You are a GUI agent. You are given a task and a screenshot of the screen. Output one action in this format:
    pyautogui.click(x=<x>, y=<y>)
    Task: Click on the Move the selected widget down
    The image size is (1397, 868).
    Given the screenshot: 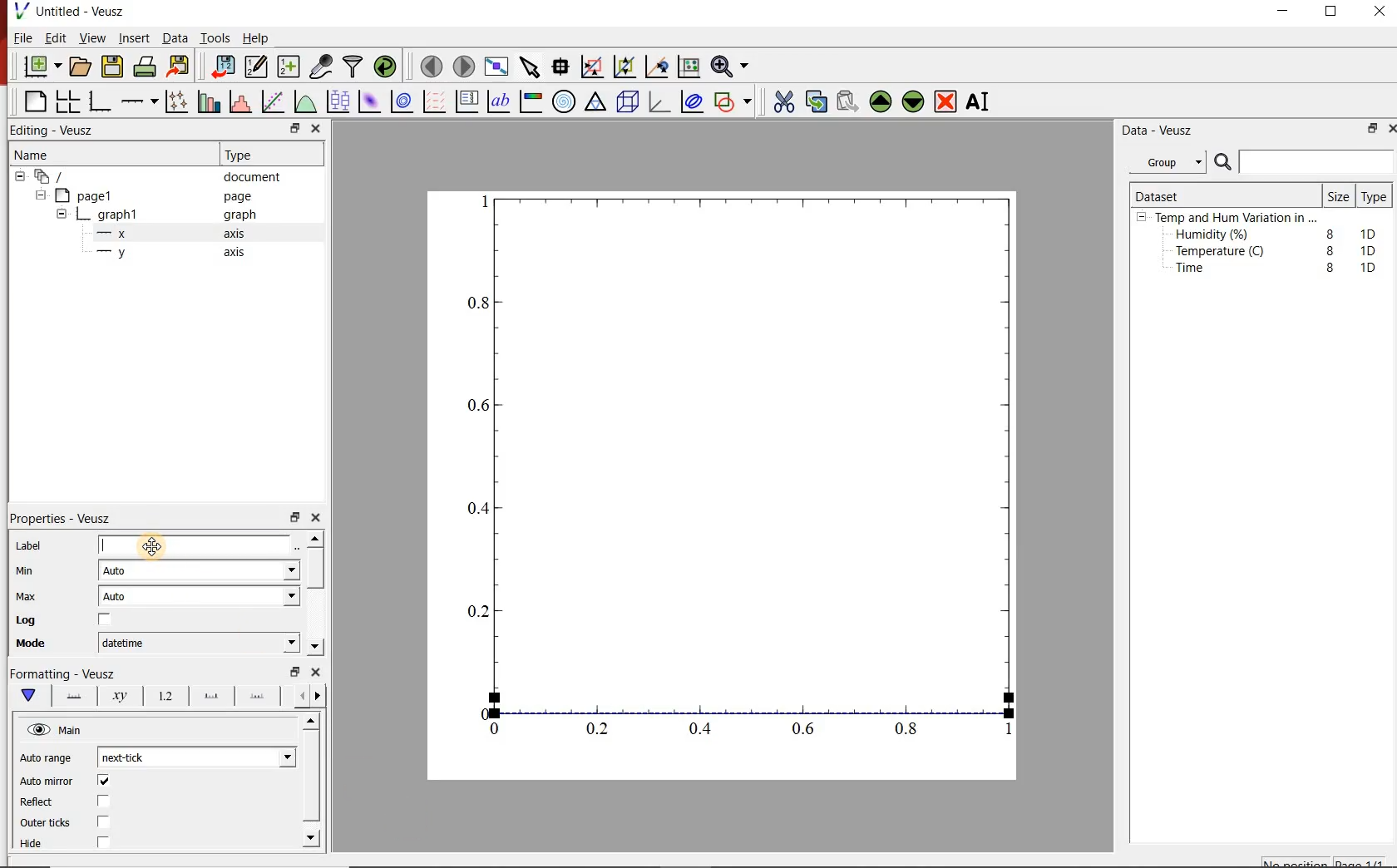 What is the action you would take?
    pyautogui.click(x=916, y=101)
    